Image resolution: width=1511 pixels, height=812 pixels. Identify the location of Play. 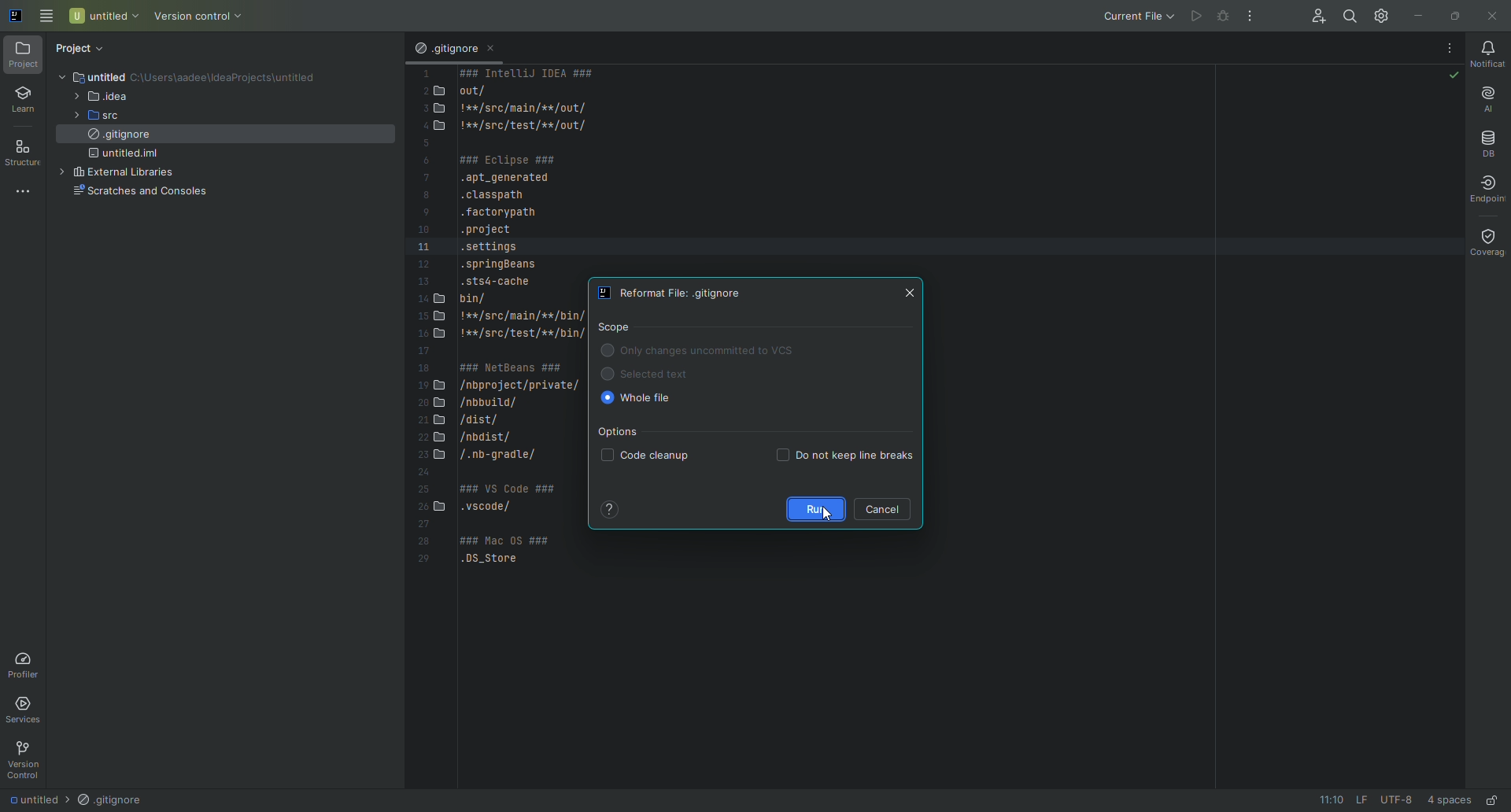
(1192, 13).